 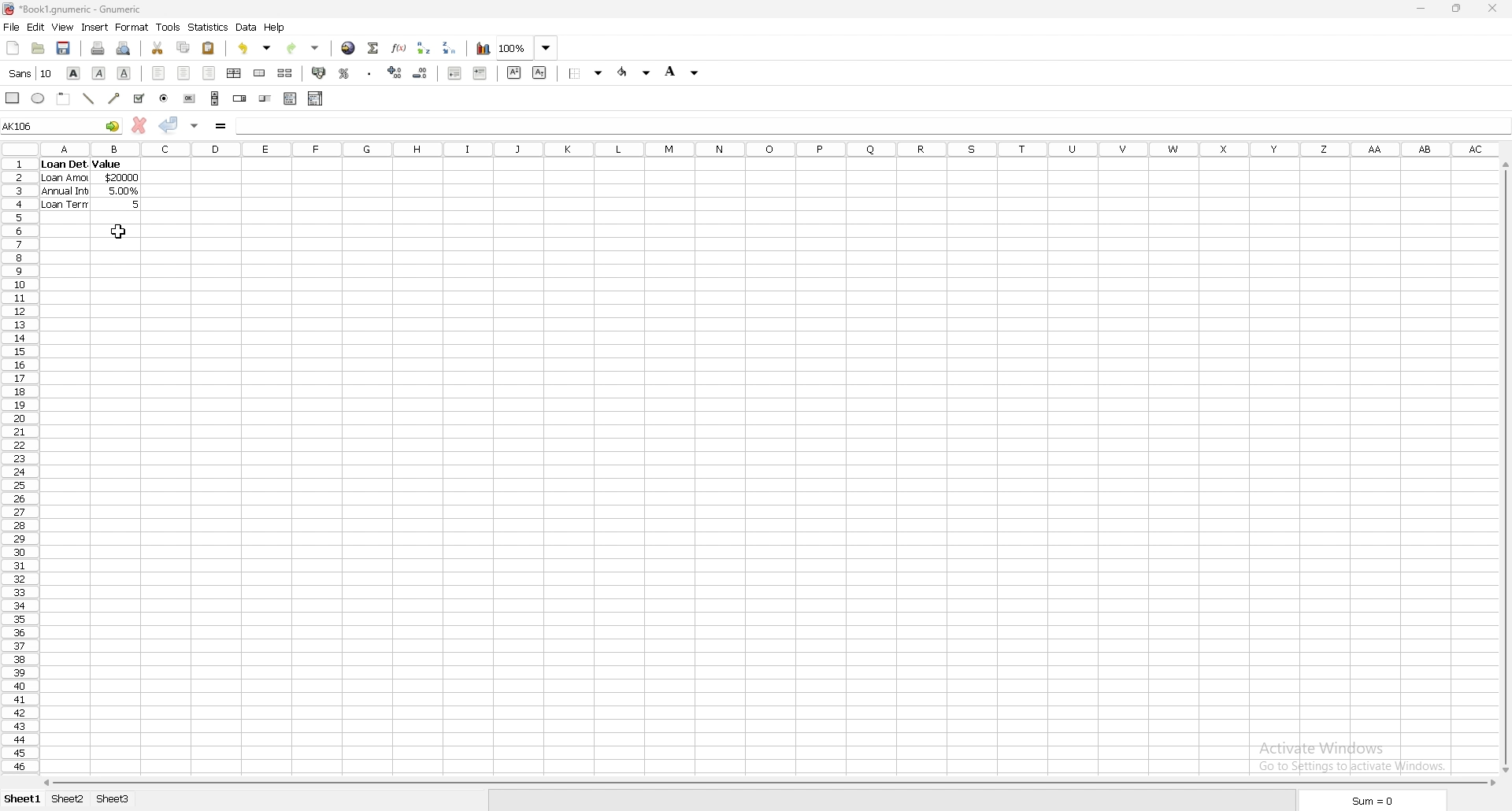 I want to click on summation, so click(x=374, y=49).